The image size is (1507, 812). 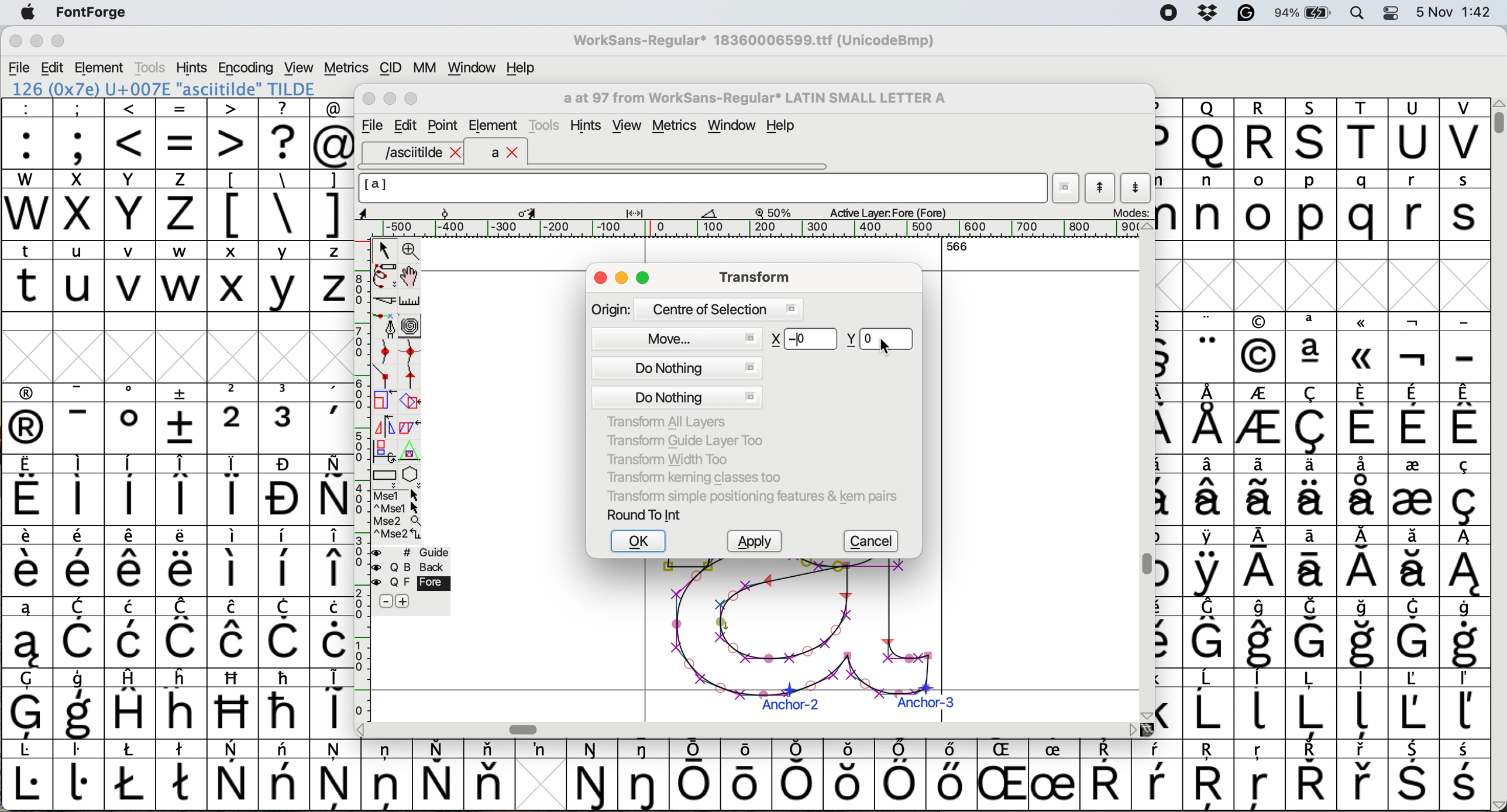 What do you see at coordinates (181, 204) in the screenshot?
I see `z` at bounding box center [181, 204].